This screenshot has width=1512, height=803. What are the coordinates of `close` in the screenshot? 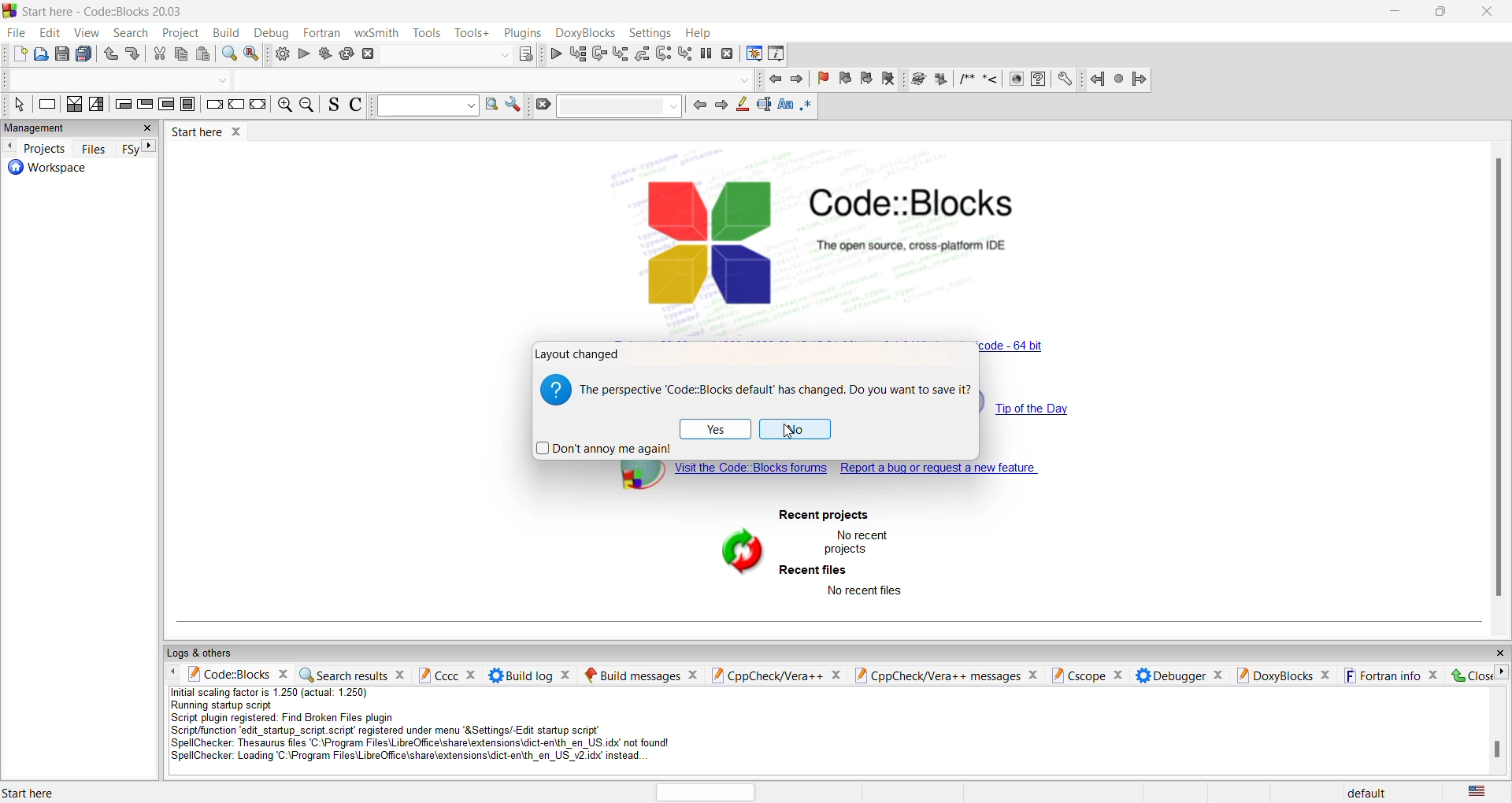 It's located at (282, 674).